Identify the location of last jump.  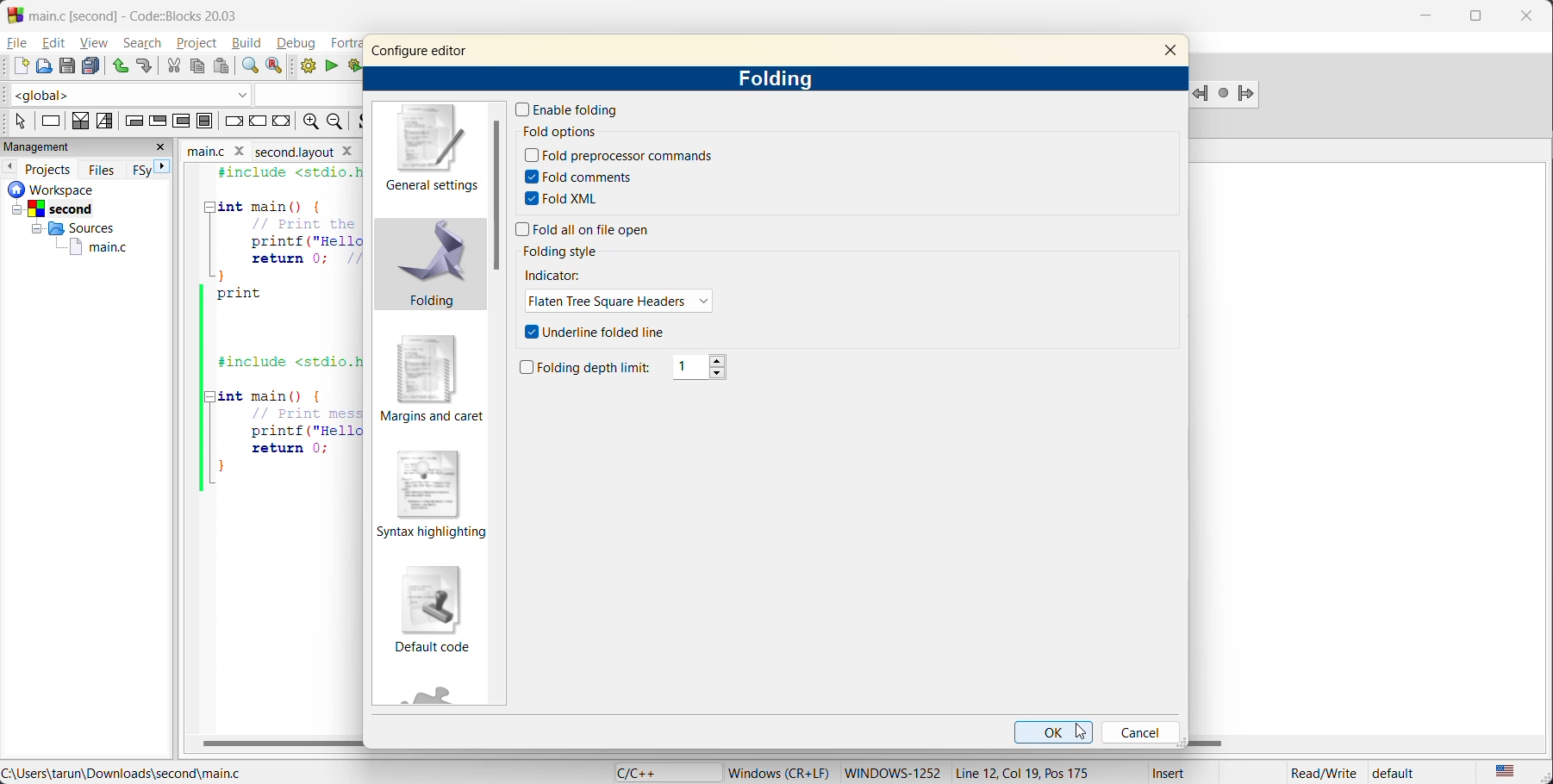
(1222, 90).